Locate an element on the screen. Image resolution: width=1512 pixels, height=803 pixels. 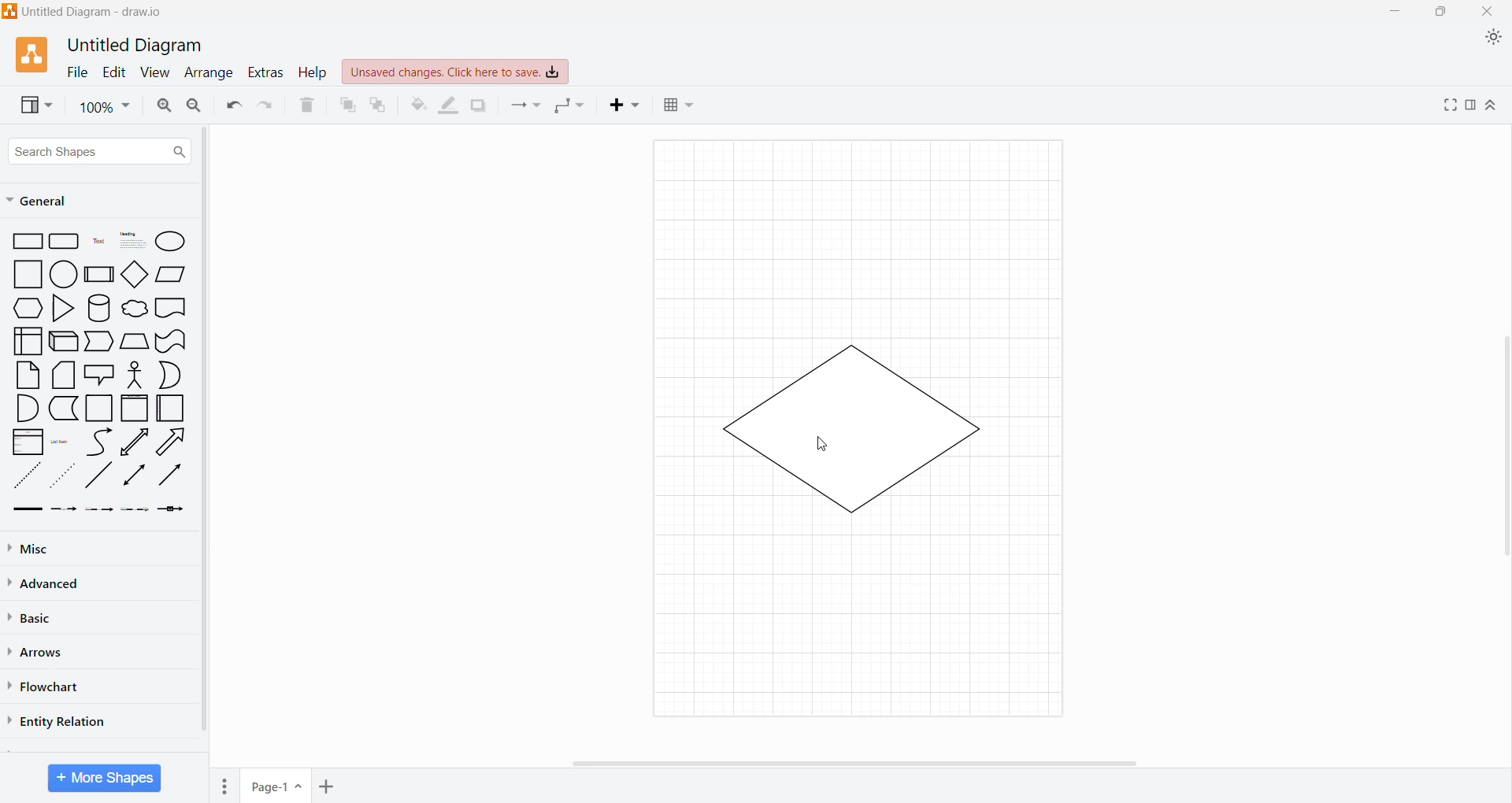
Zoom Out is located at coordinates (194, 106).